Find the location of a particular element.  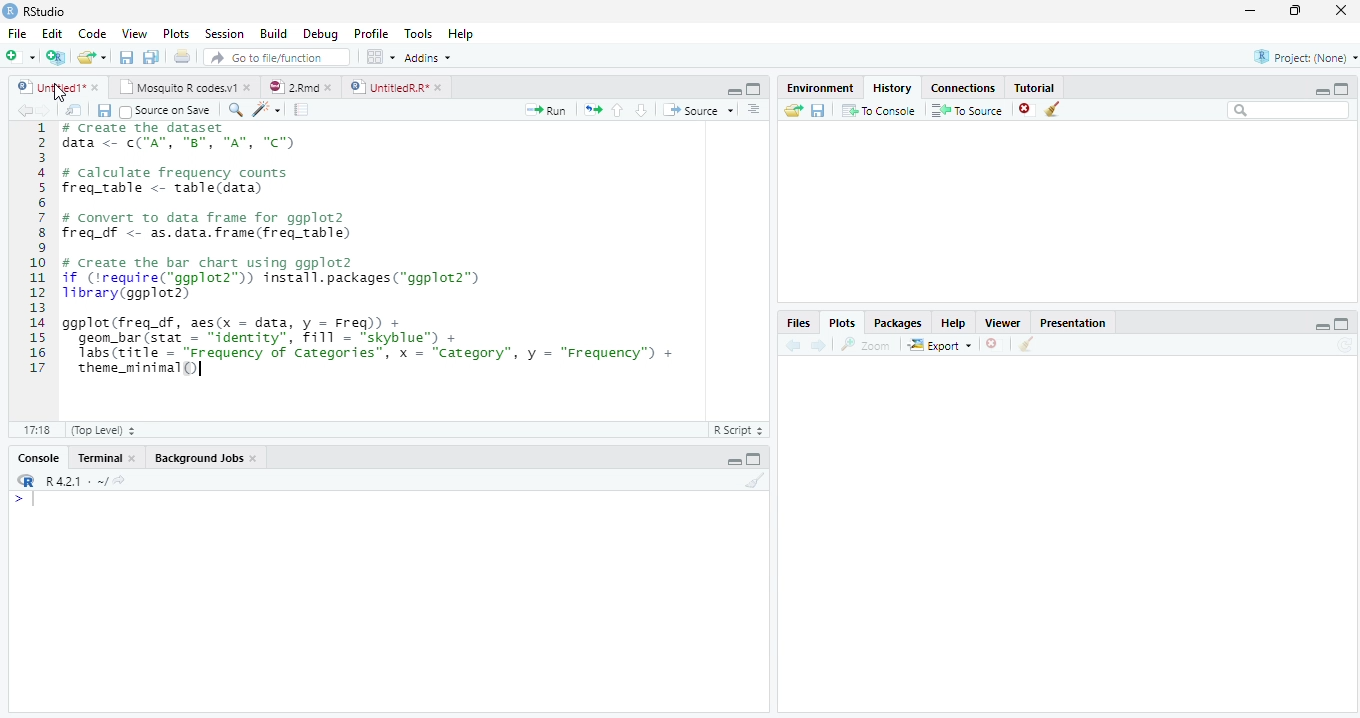

Pages is located at coordinates (593, 110).